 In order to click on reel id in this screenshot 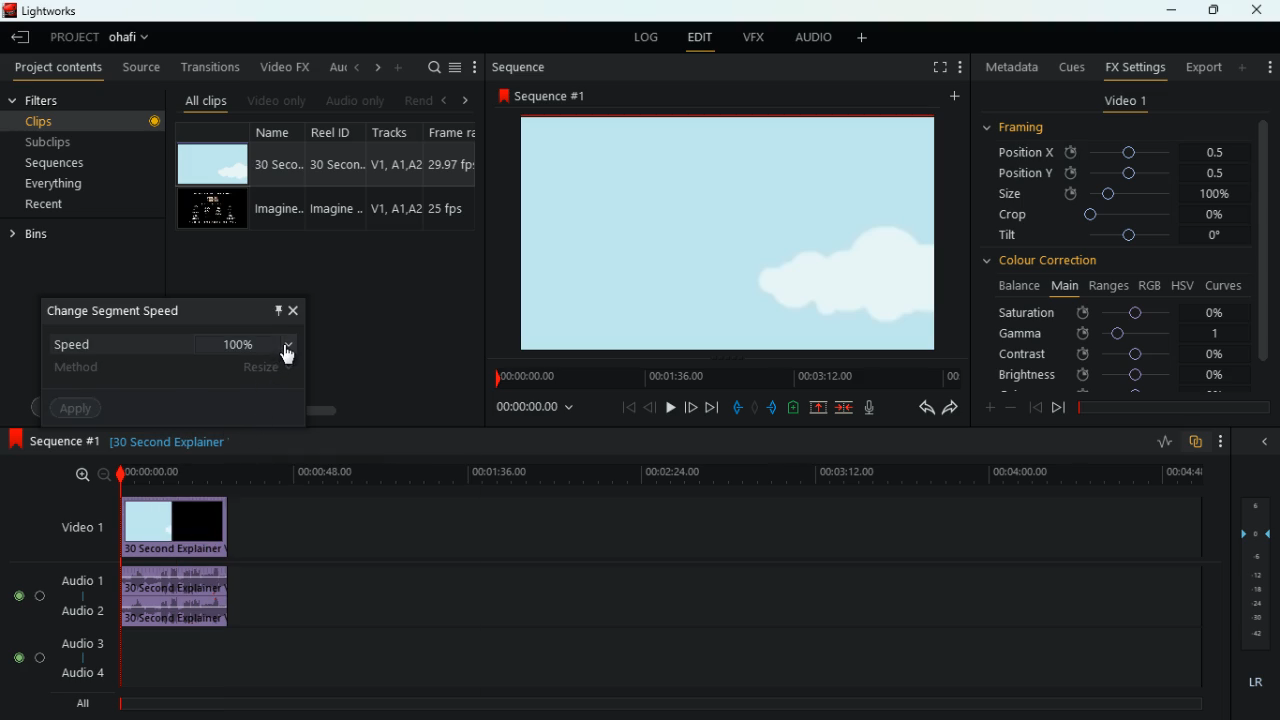, I will do `click(329, 175)`.